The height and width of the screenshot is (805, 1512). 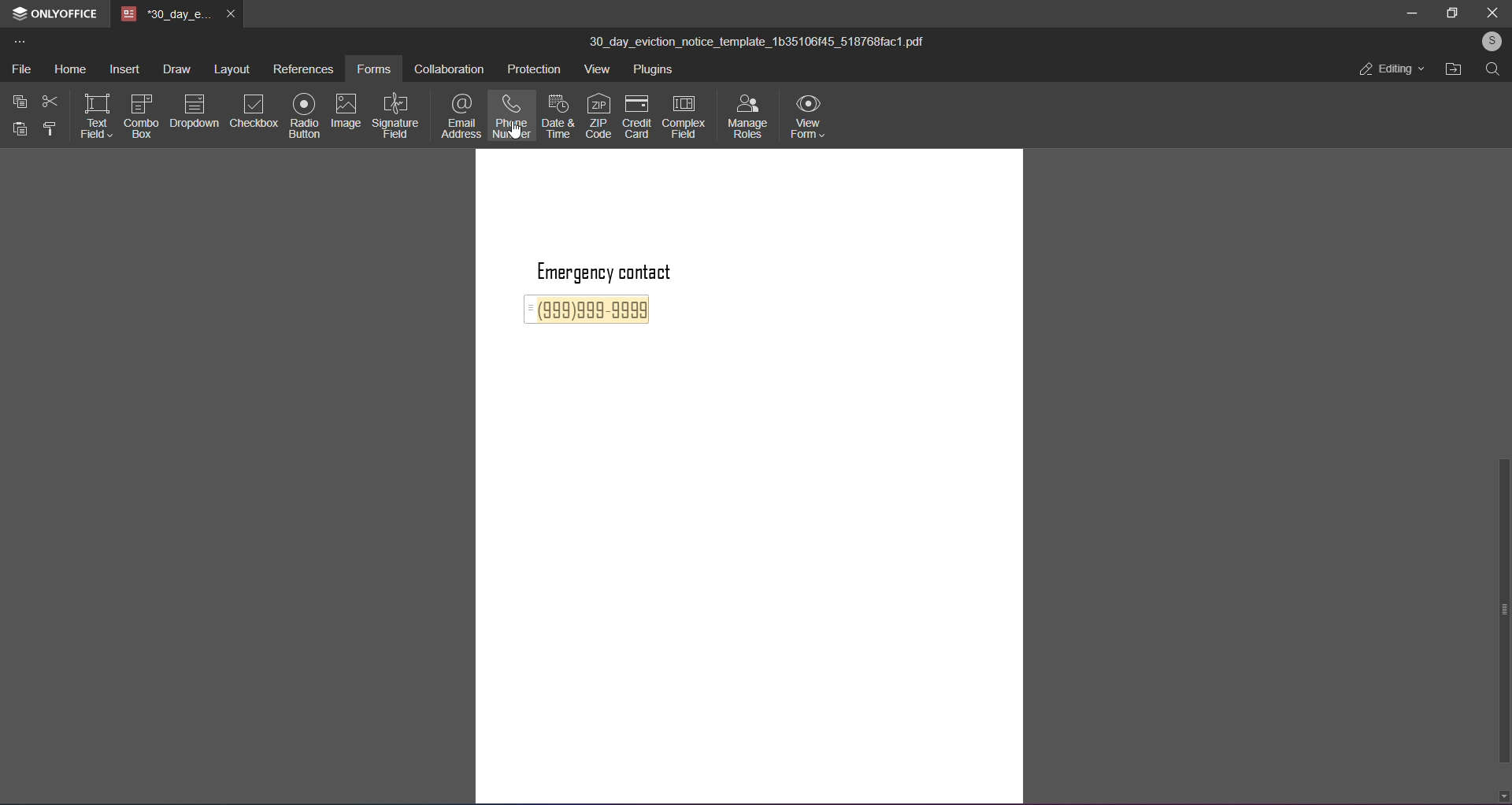 I want to click on up, so click(x=1501, y=90).